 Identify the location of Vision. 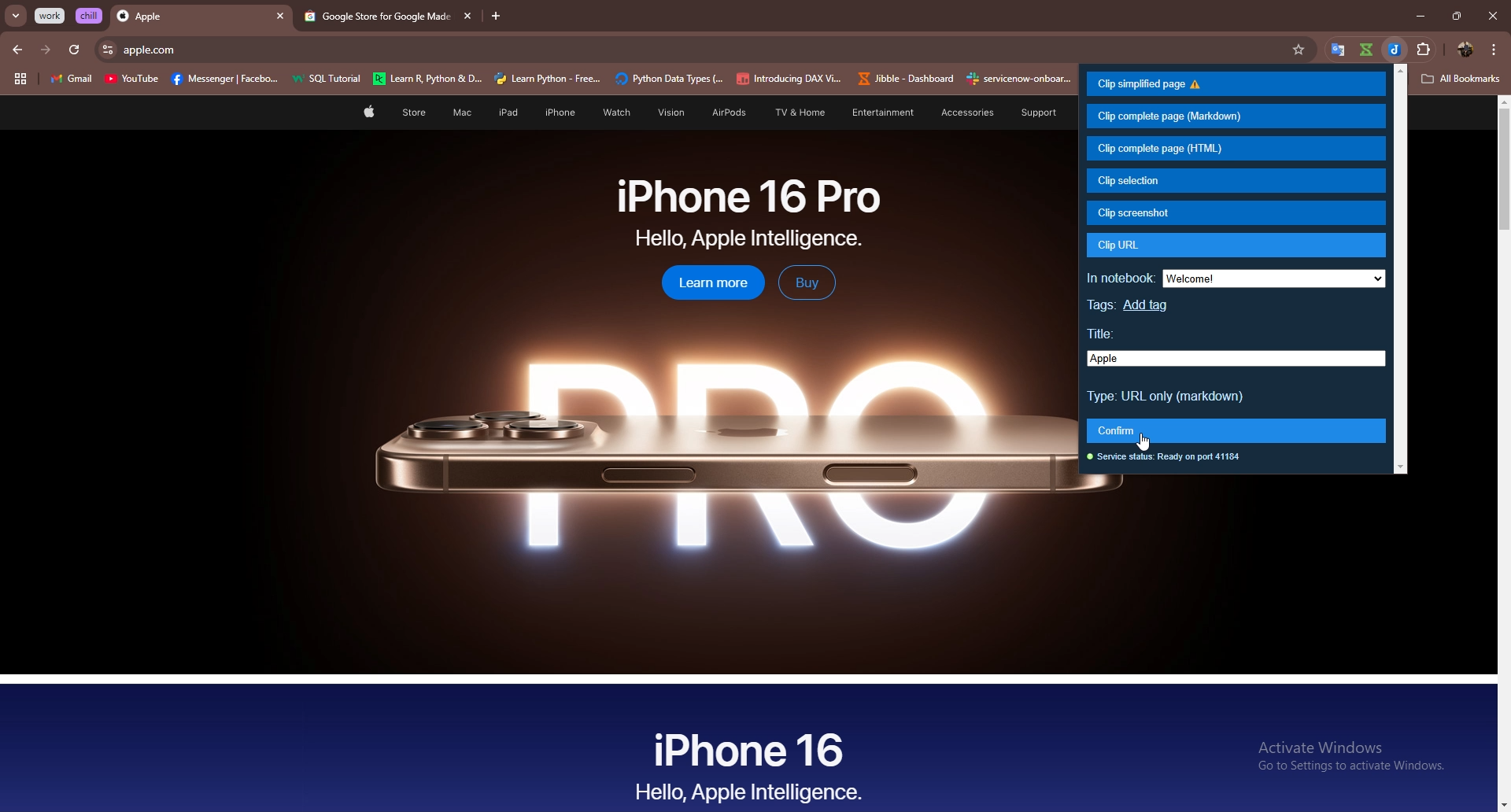
(666, 113).